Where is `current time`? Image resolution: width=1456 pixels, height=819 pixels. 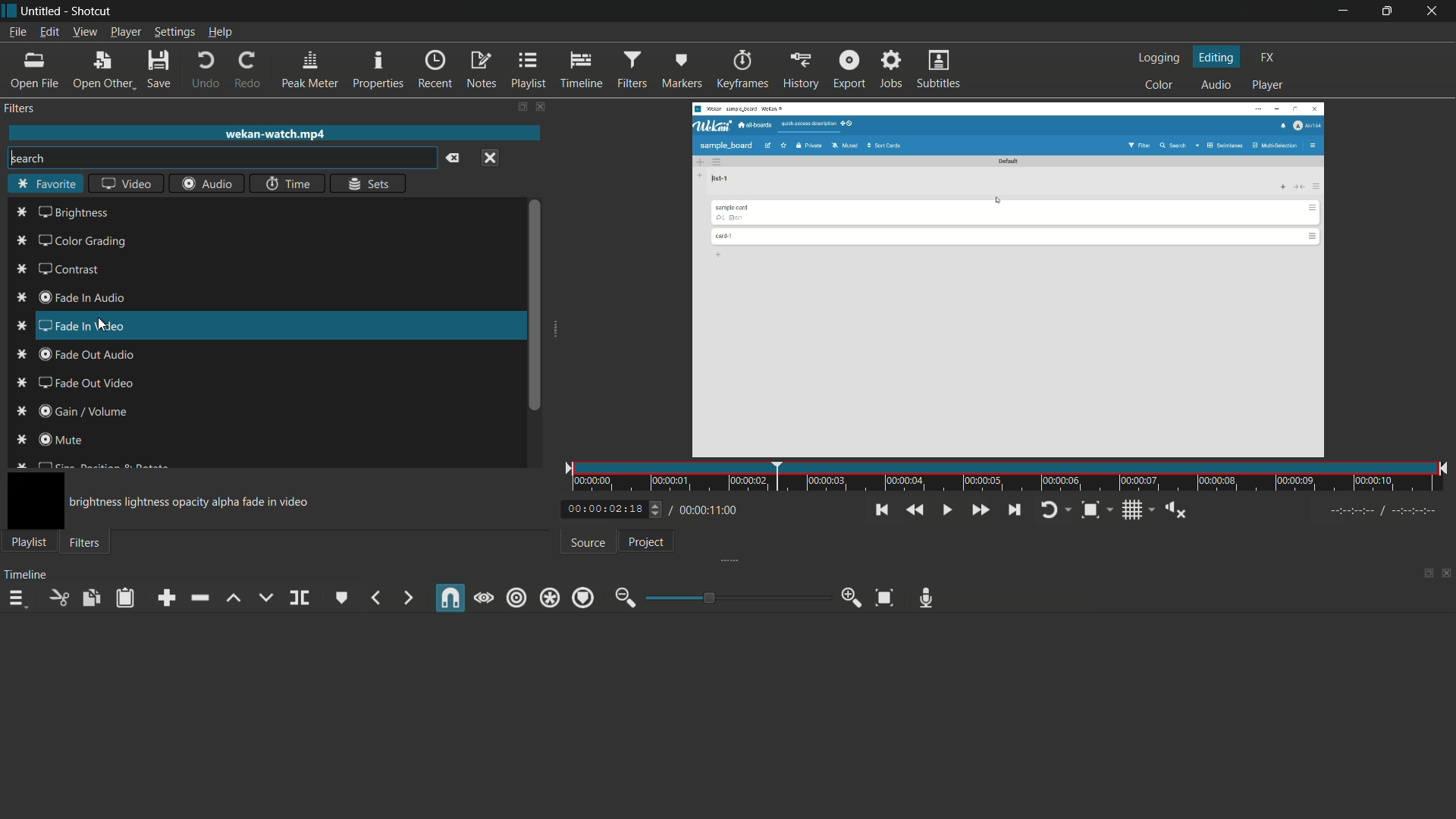
current time is located at coordinates (599, 510).